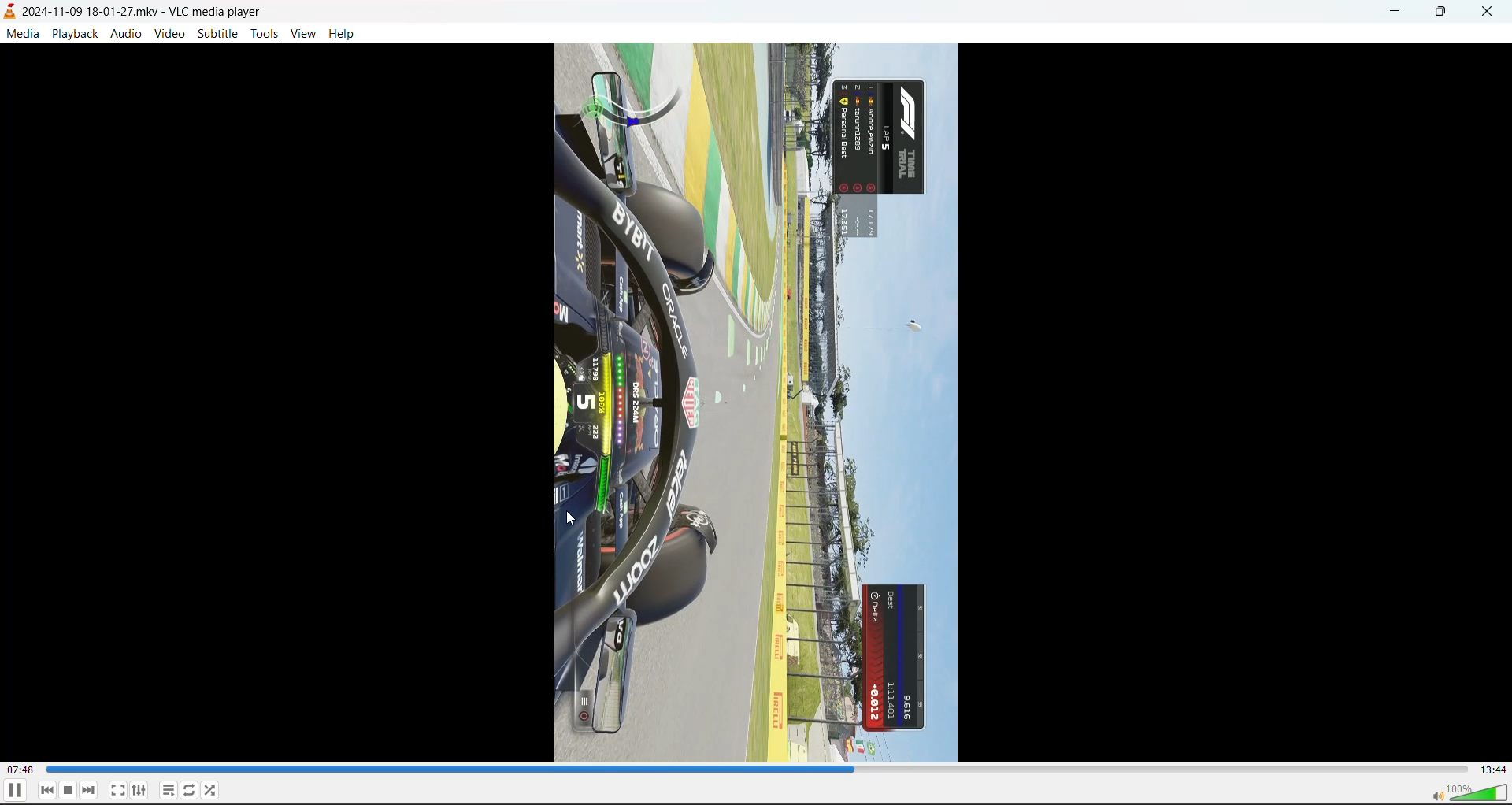  Describe the element at coordinates (169, 34) in the screenshot. I see `video` at that location.